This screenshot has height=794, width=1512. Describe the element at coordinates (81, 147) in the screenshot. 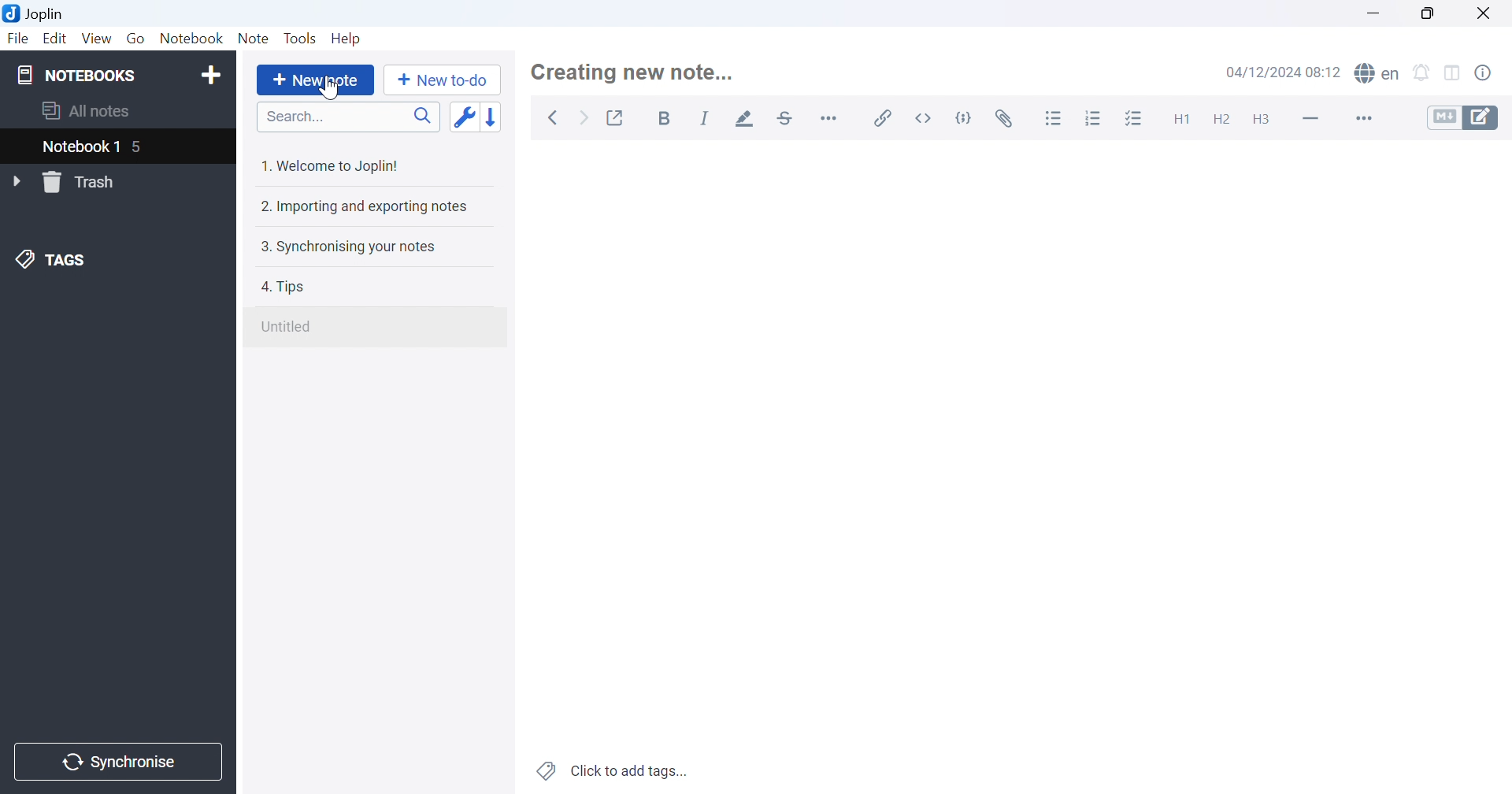

I see `Notebook 1` at that location.